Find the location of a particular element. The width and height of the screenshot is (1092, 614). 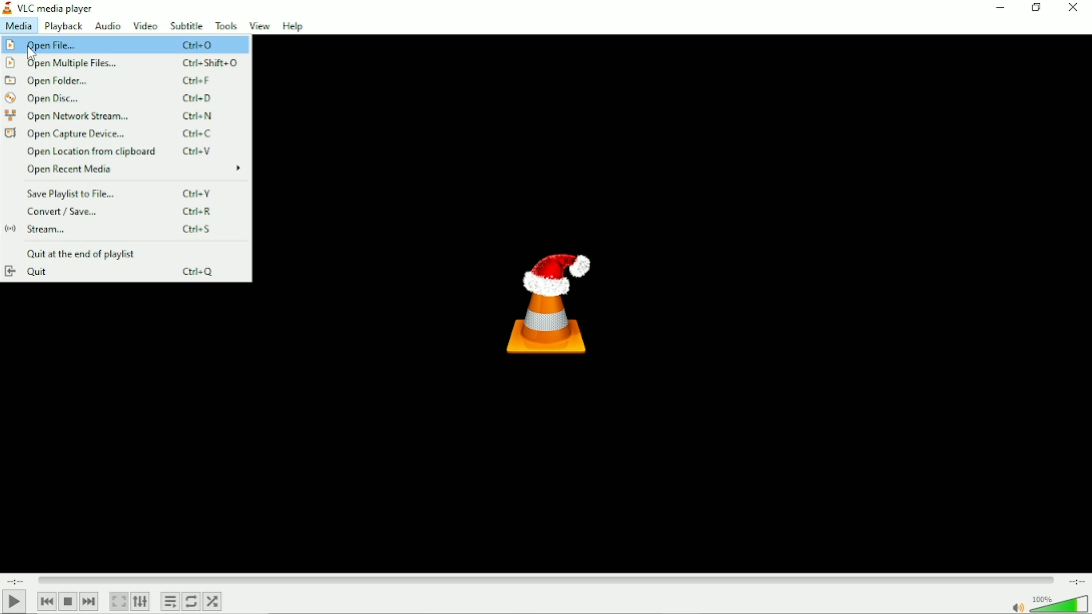

Play duration is located at coordinates (546, 580).